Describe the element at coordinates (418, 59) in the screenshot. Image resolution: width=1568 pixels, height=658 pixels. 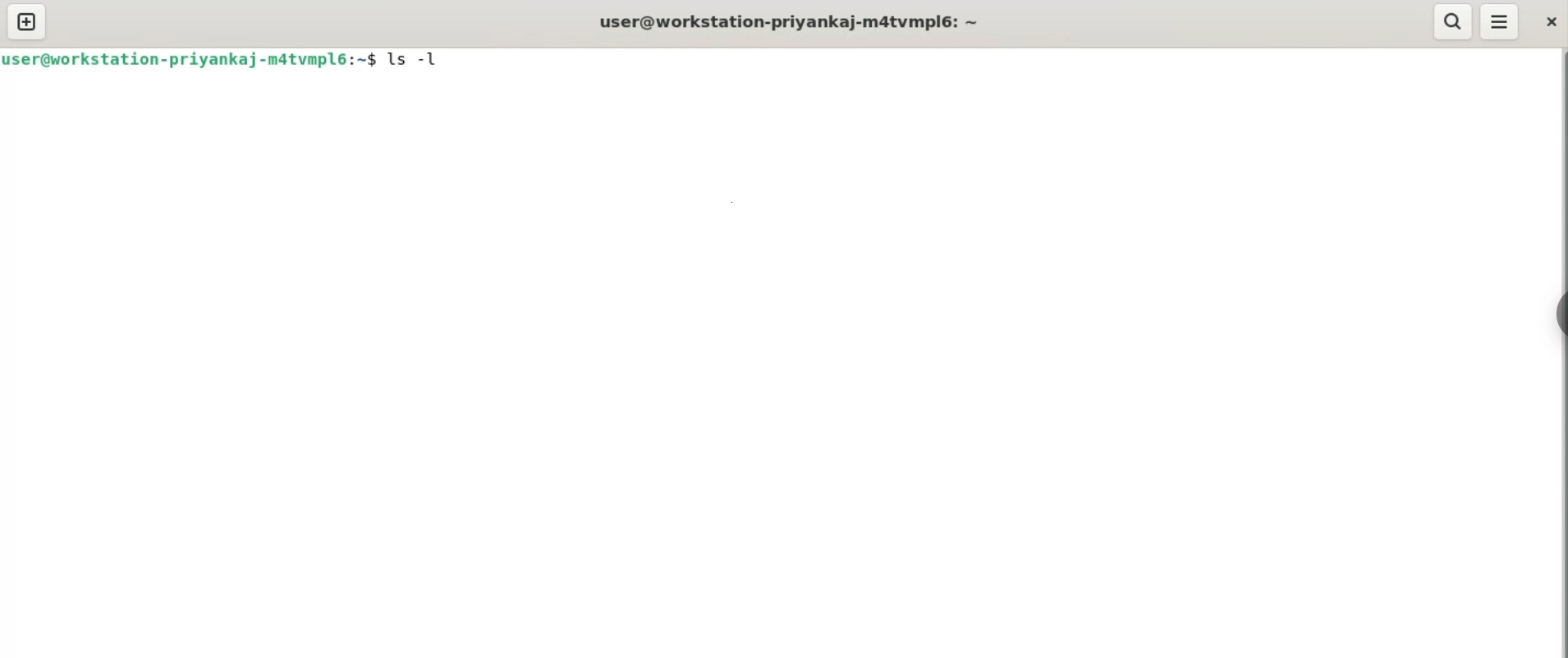
I see `ls -l` at that location.